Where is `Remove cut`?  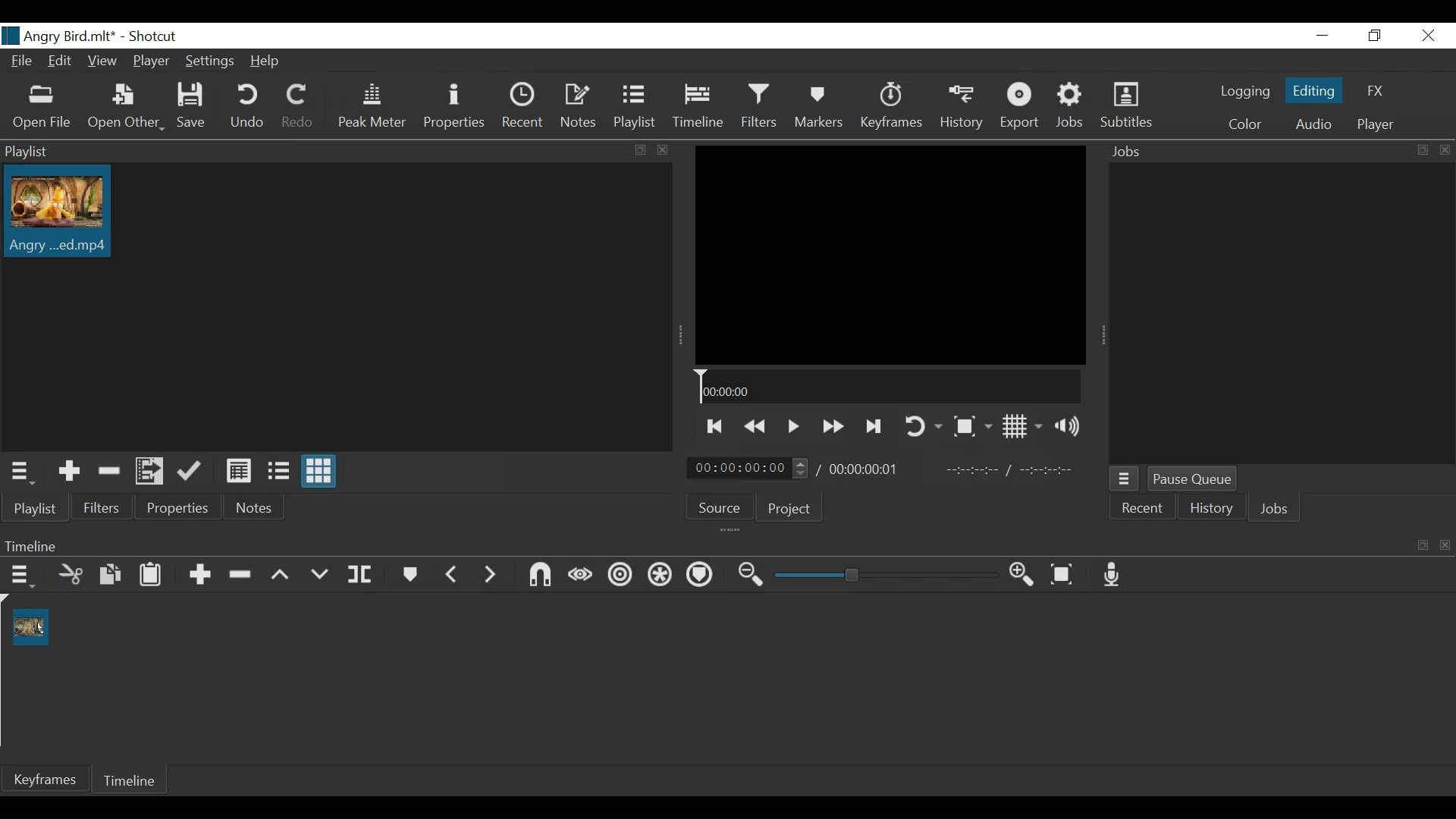
Remove cut is located at coordinates (105, 471).